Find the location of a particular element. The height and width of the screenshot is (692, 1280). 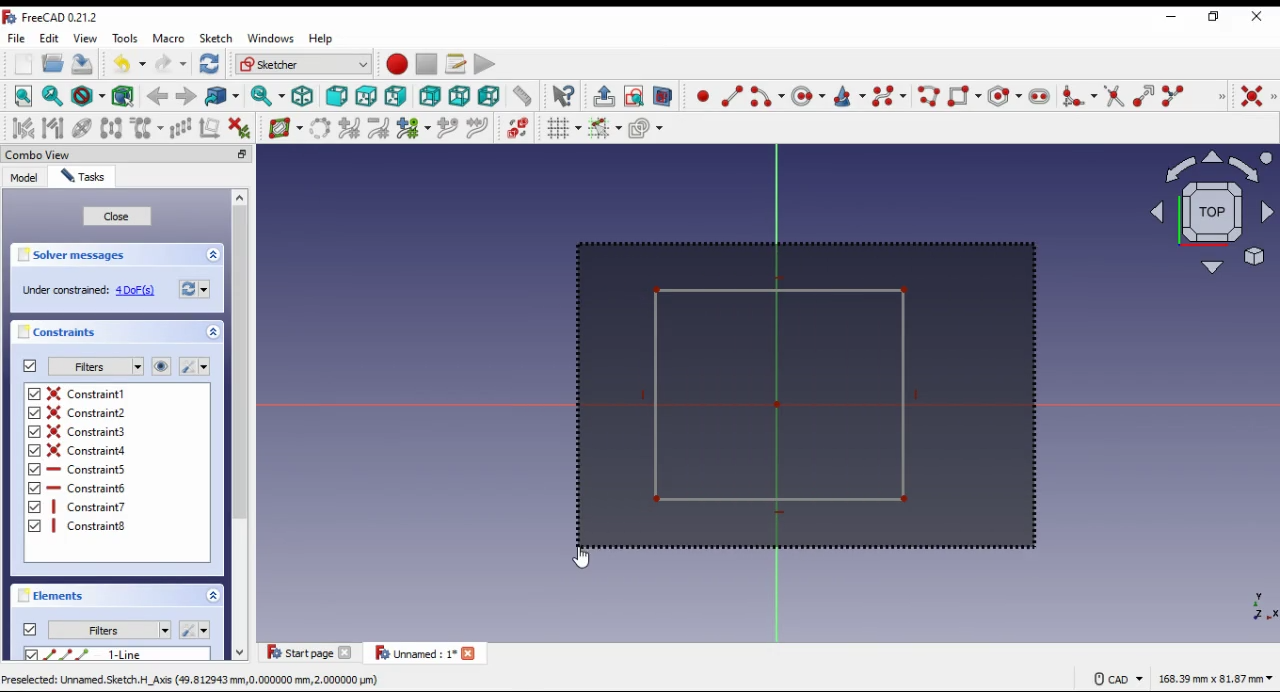

combo view is located at coordinates (39, 154).